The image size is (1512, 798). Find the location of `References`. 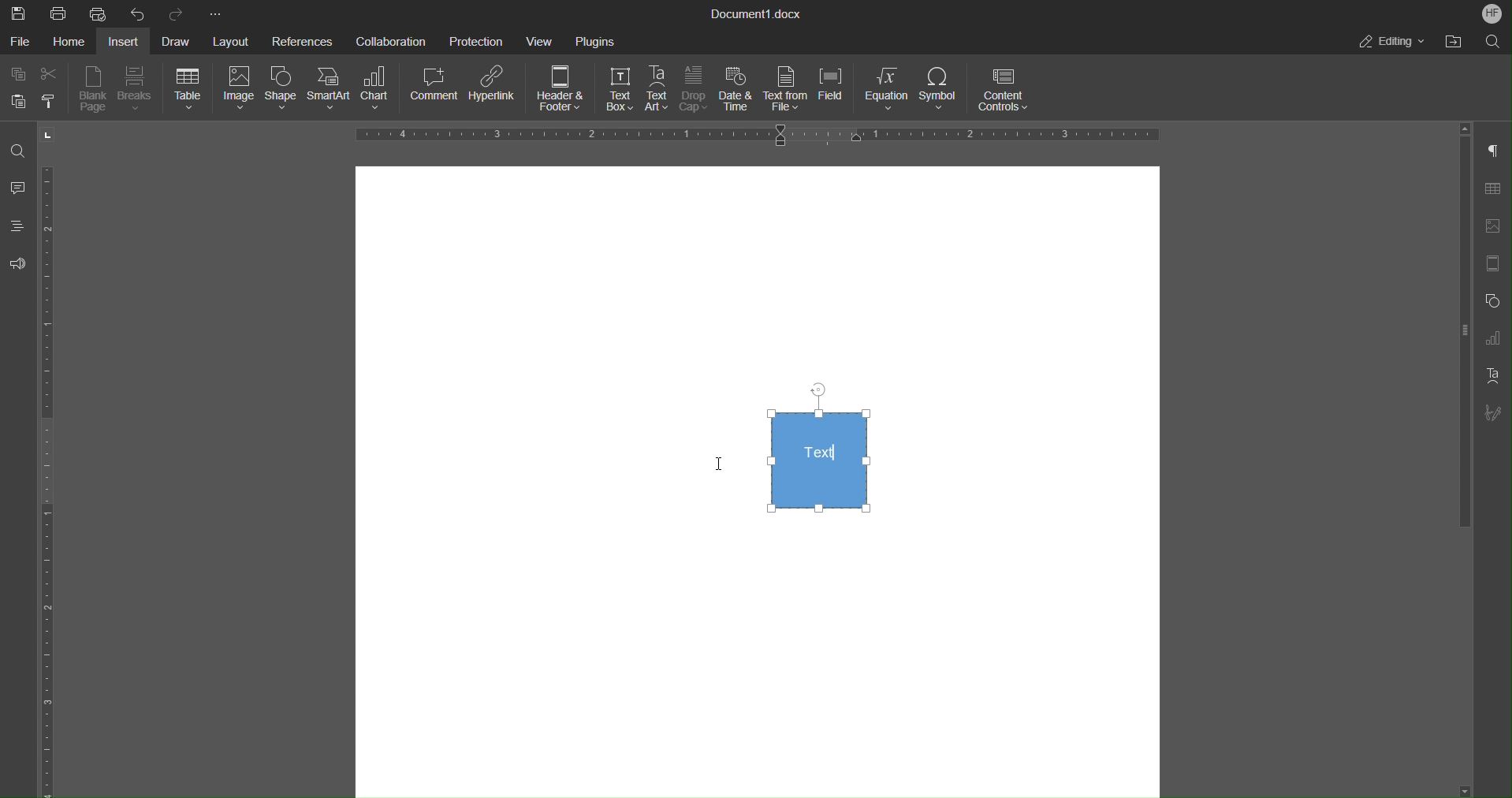

References is located at coordinates (302, 40).